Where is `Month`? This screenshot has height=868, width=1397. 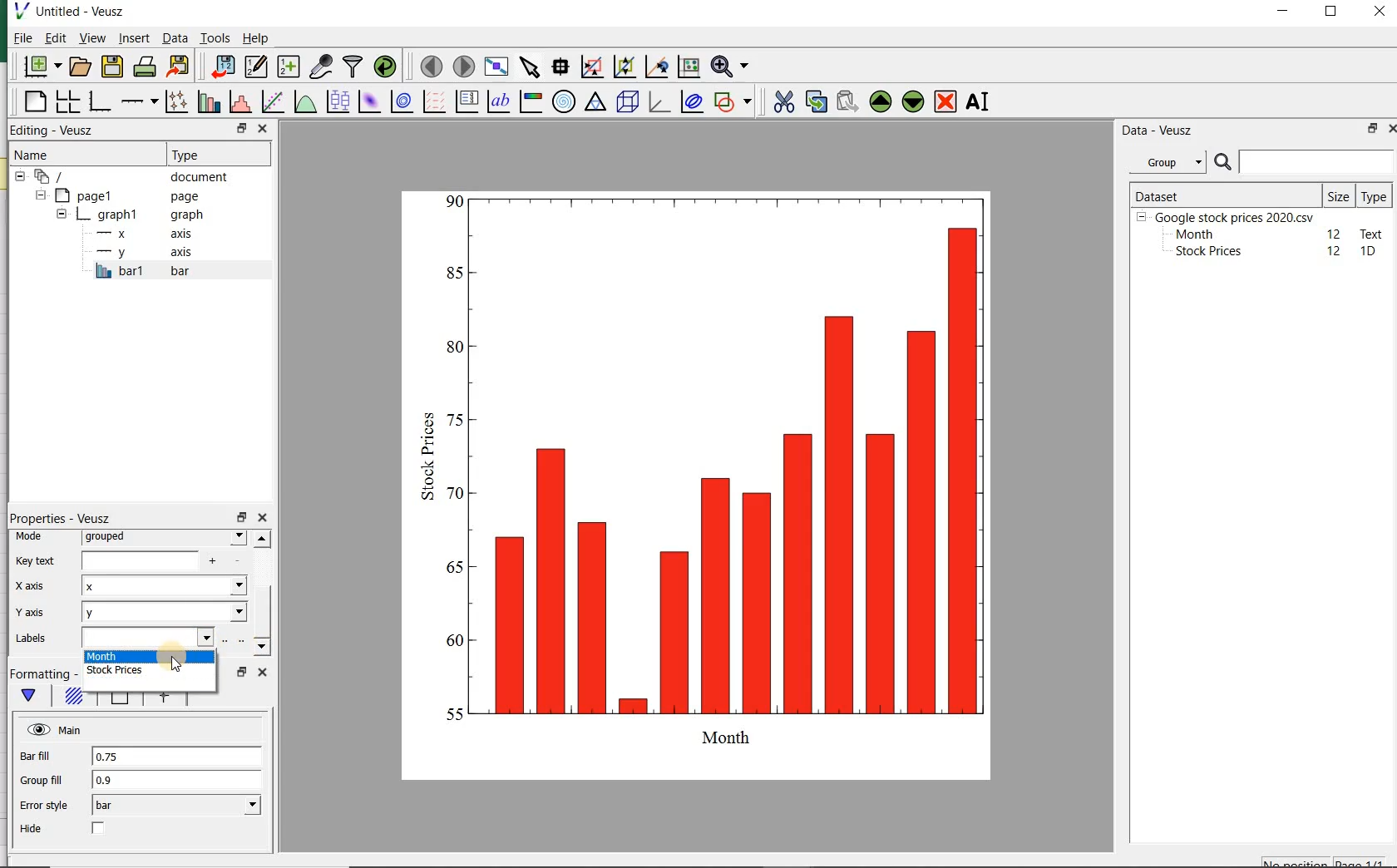 Month is located at coordinates (149, 658).